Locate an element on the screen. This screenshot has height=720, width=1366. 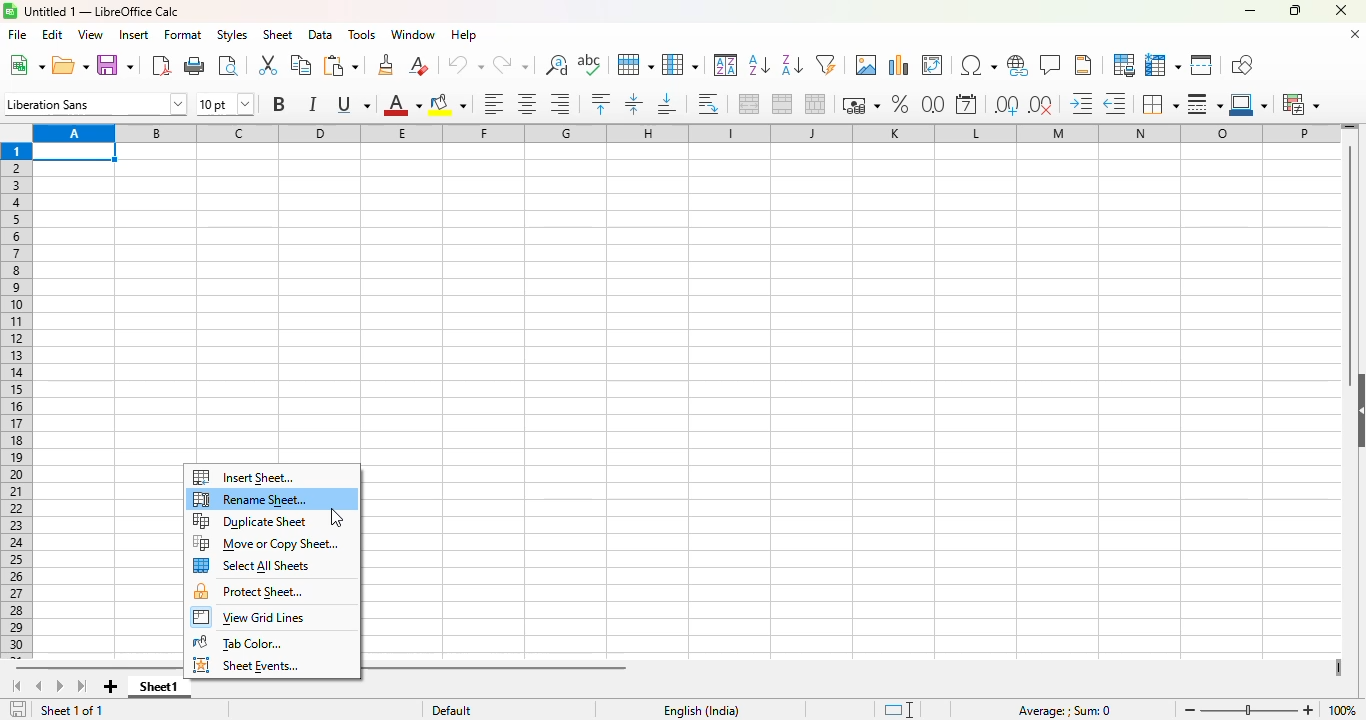
tools is located at coordinates (362, 34).